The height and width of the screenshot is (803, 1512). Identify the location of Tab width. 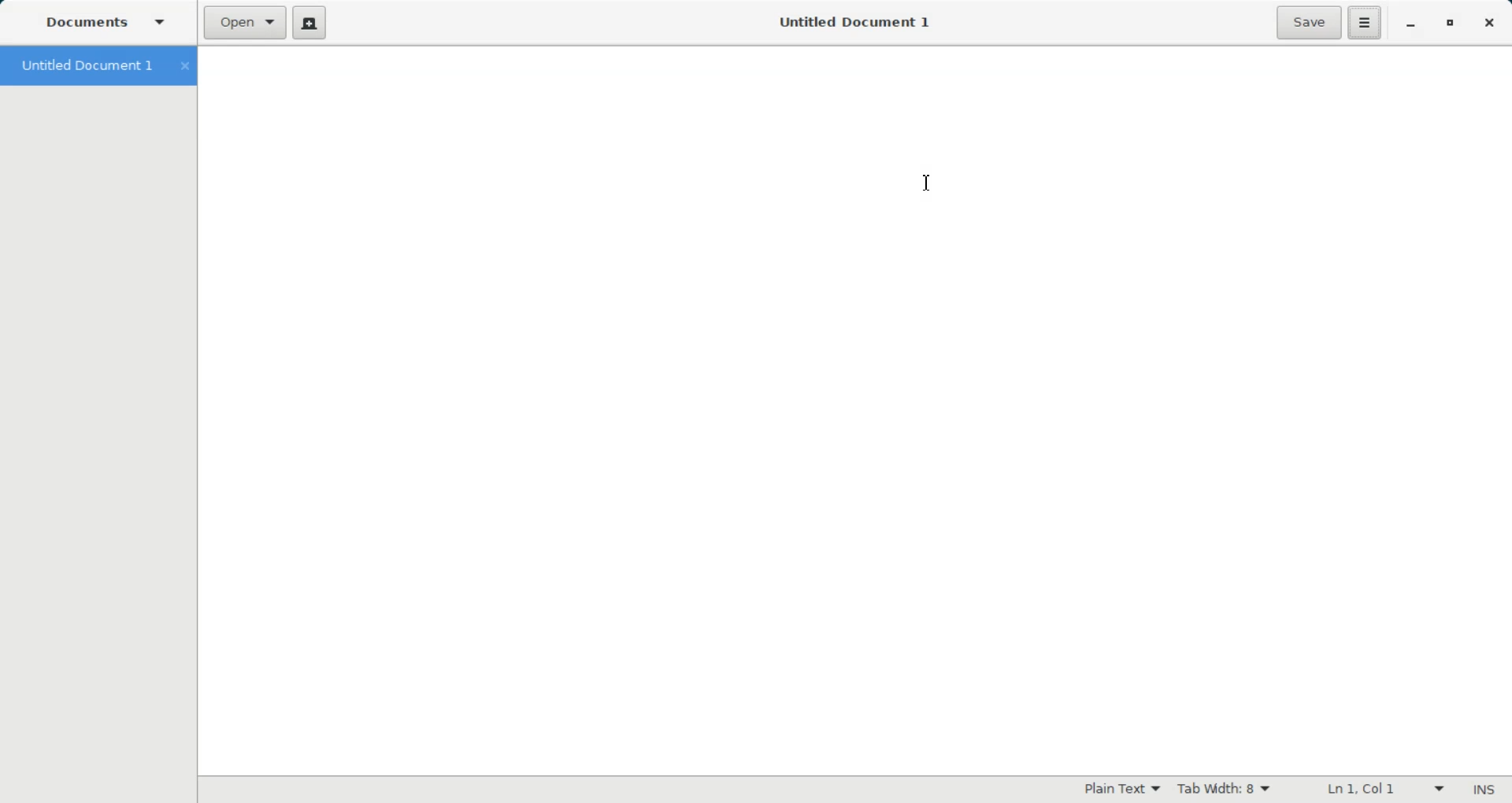
(1225, 788).